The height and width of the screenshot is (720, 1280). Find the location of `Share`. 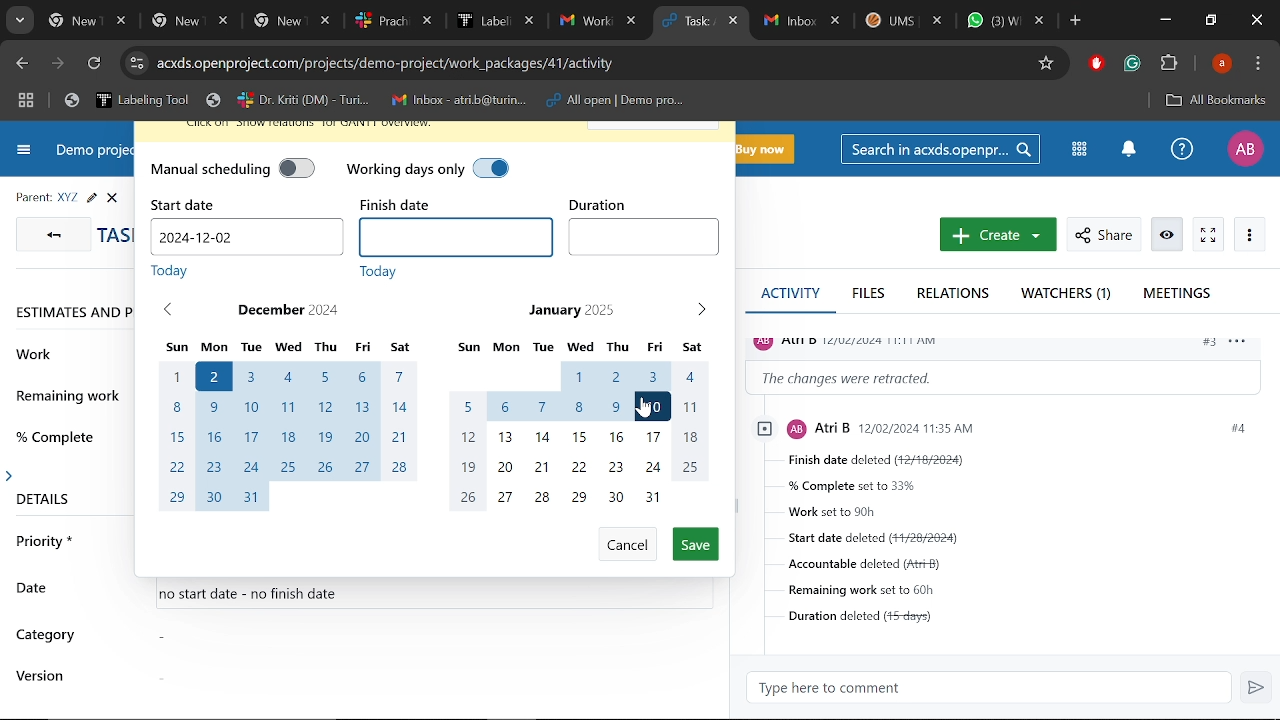

Share is located at coordinates (1103, 235).